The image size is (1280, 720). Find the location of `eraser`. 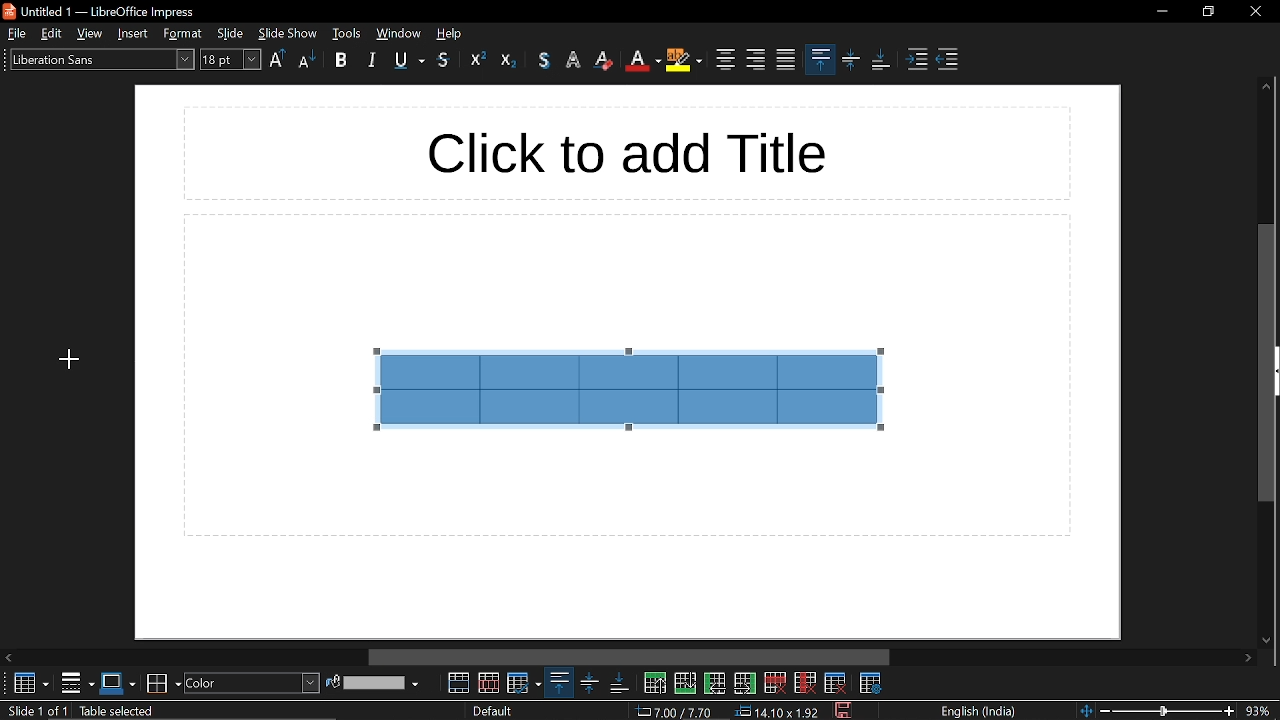

eraser is located at coordinates (604, 62).